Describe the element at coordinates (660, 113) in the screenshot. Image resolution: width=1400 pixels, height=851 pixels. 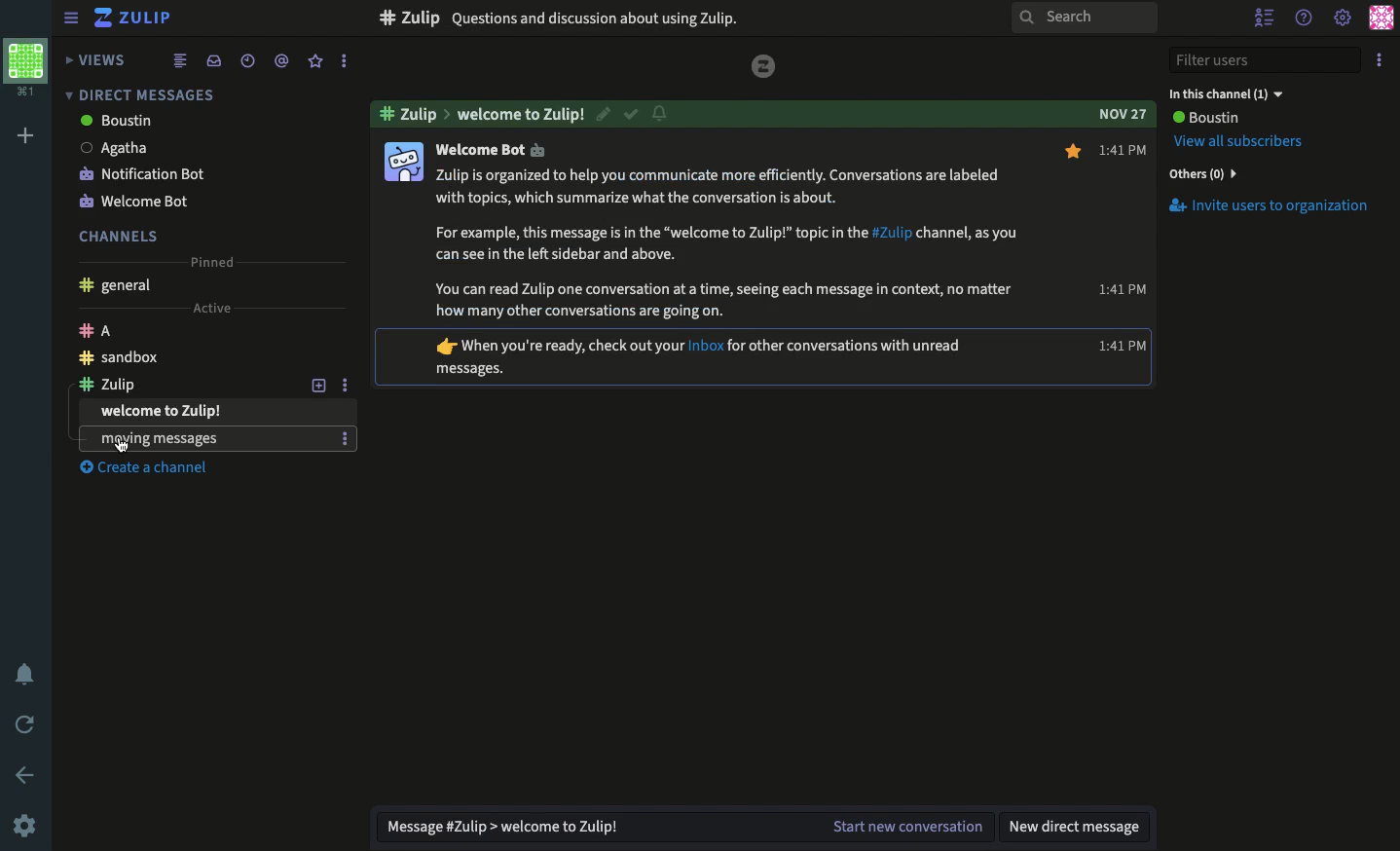
I see `Notification` at that location.